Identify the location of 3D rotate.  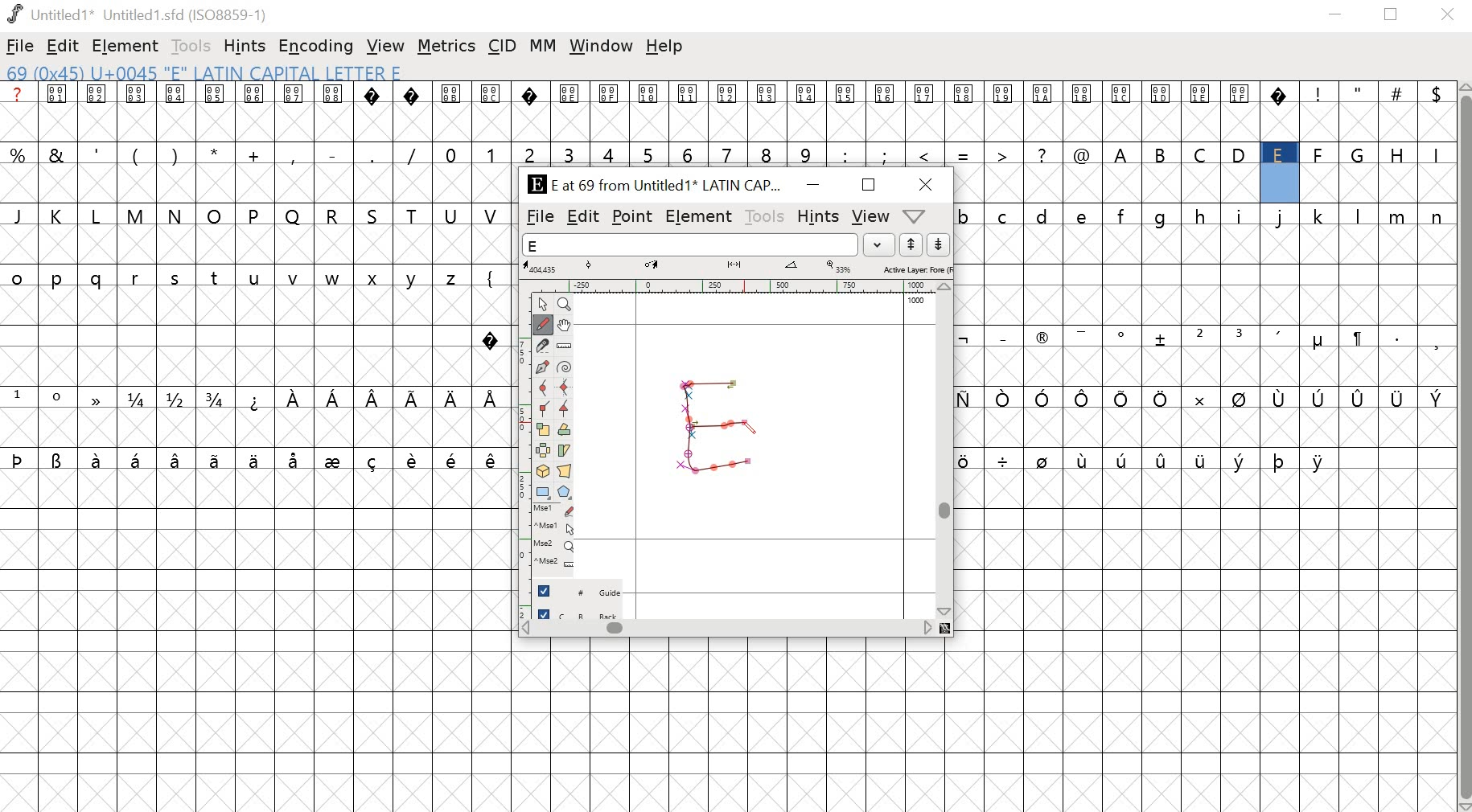
(543, 473).